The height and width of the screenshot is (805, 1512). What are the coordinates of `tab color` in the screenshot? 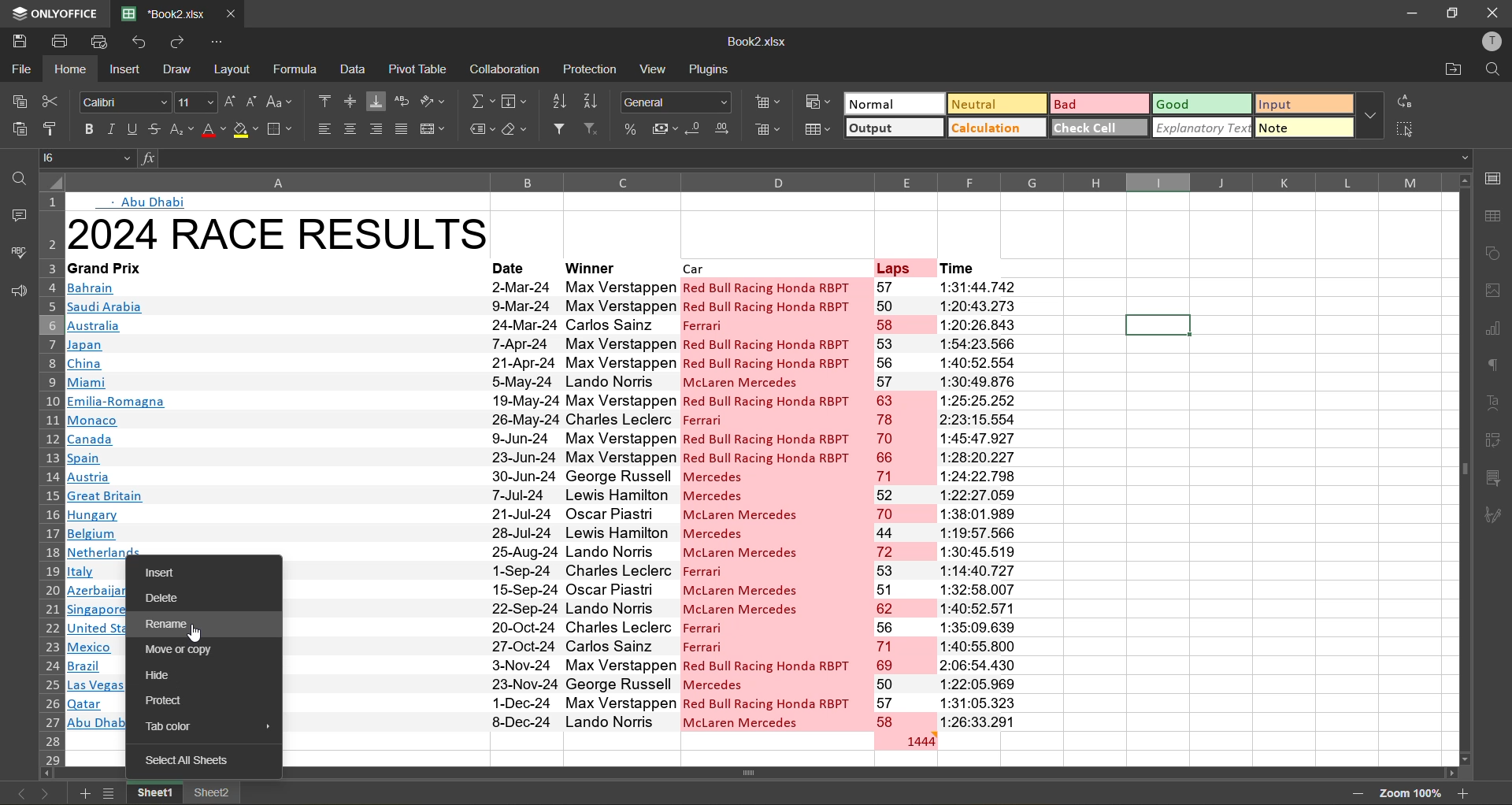 It's located at (187, 729).